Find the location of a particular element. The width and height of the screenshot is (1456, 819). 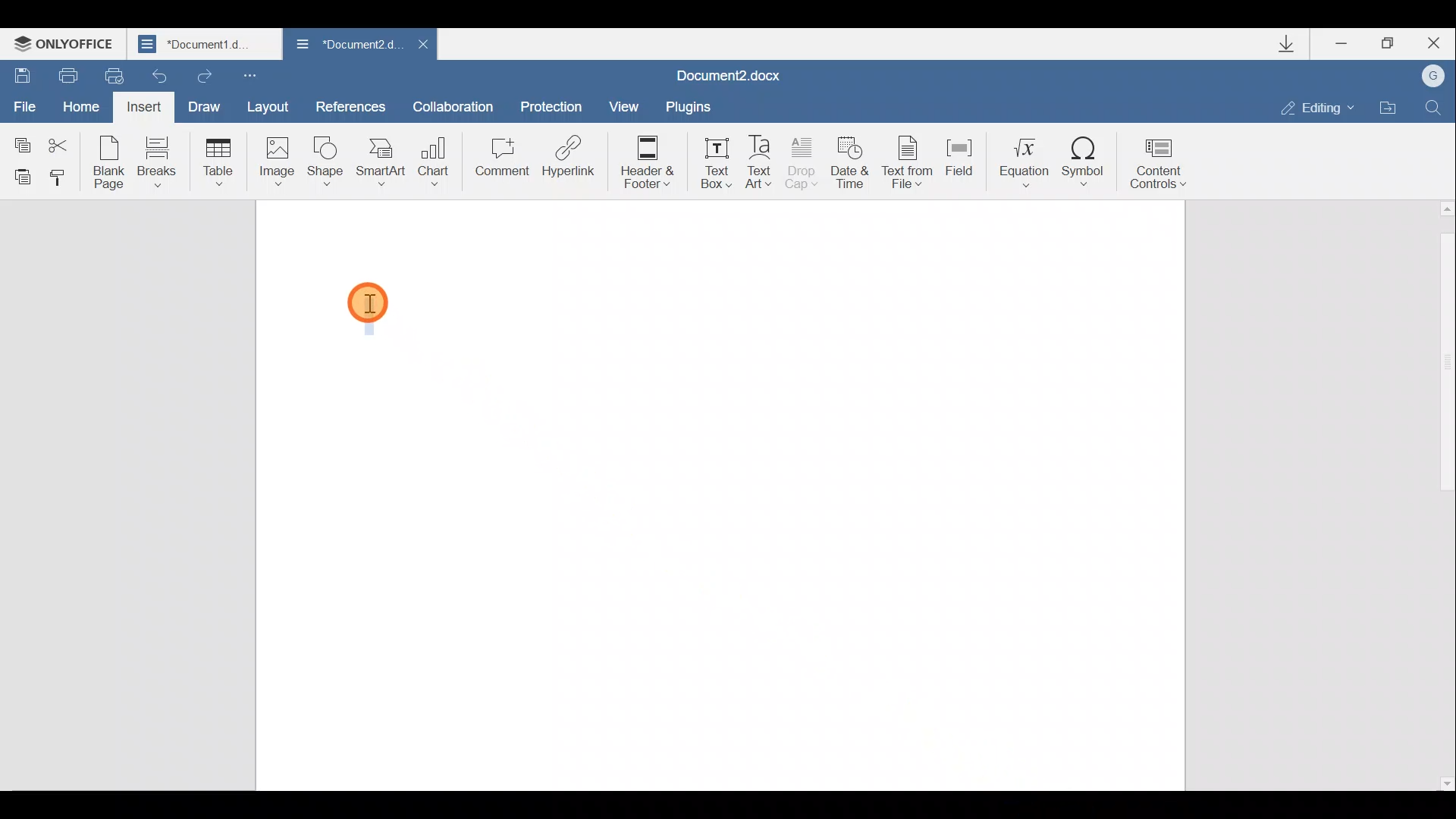

Close is located at coordinates (1439, 42).